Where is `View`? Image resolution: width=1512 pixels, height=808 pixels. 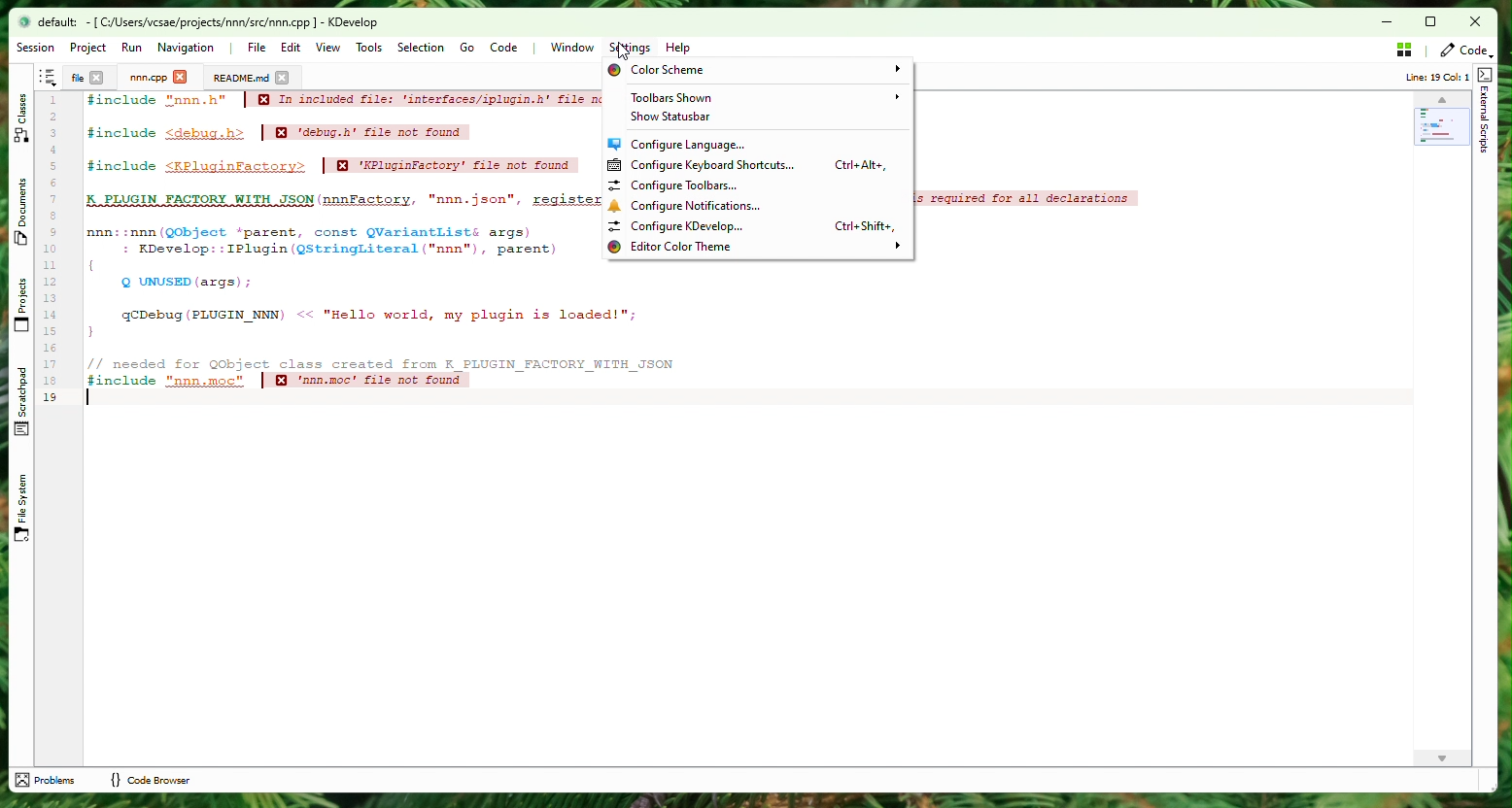 View is located at coordinates (331, 50).